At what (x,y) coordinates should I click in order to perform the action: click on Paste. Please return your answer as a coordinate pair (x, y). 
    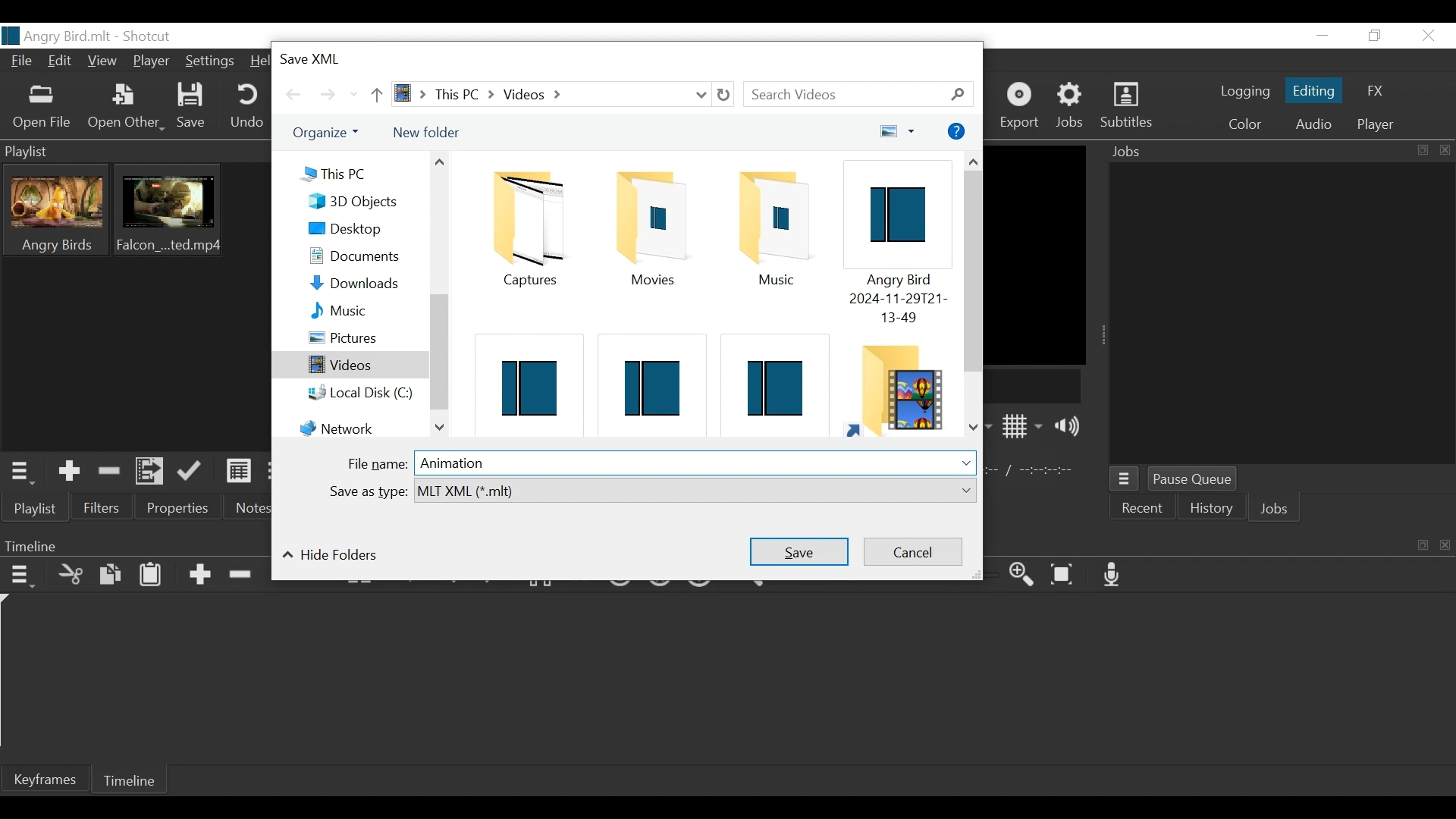
    Looking at the image, I should click on (152, 575).